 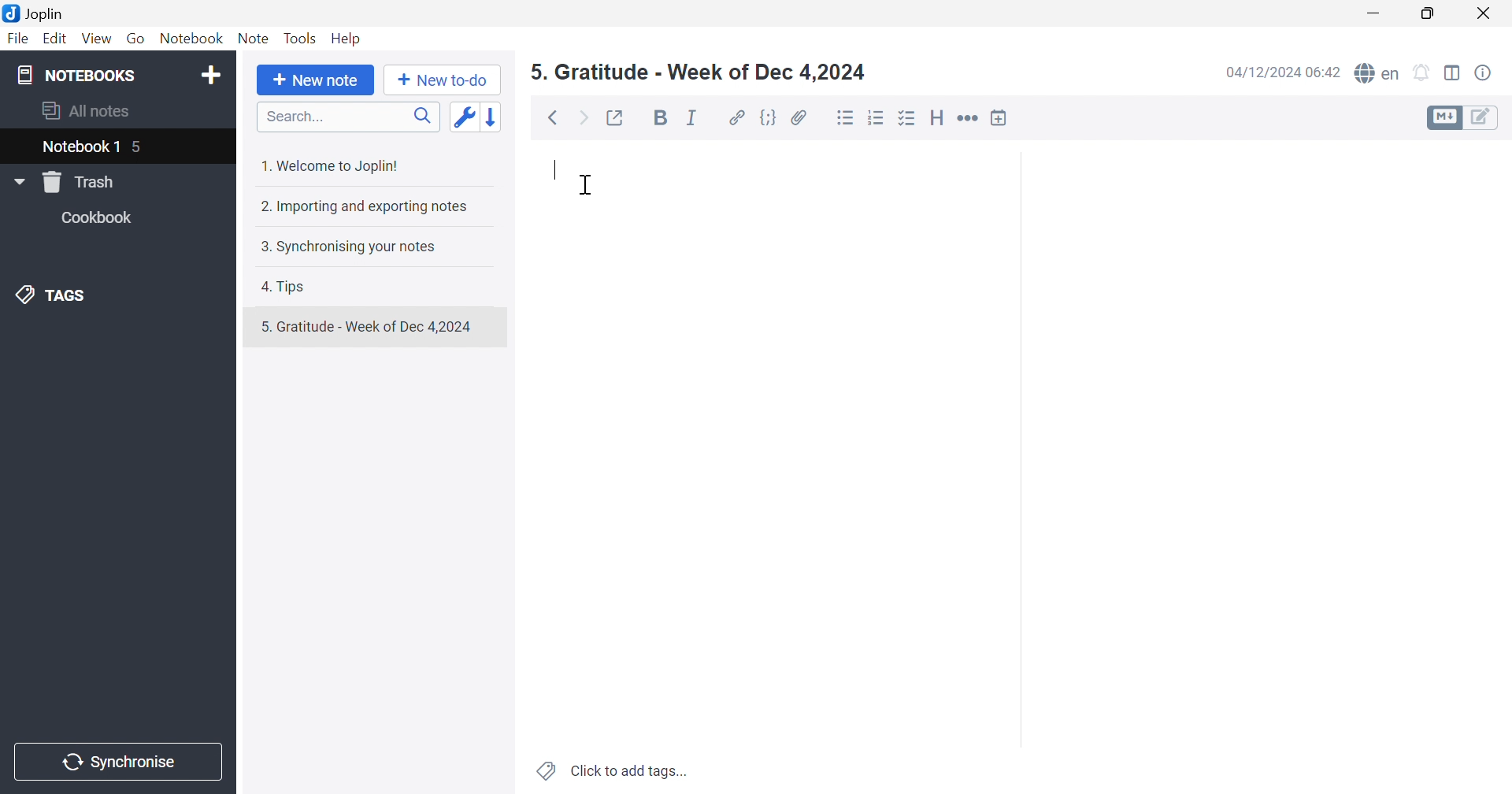 What do you see at coordinates (698, 72) in the screenshot?
I see `5. Gratitude  Week of Dec 4,2024` at bounding box center [698, 72].